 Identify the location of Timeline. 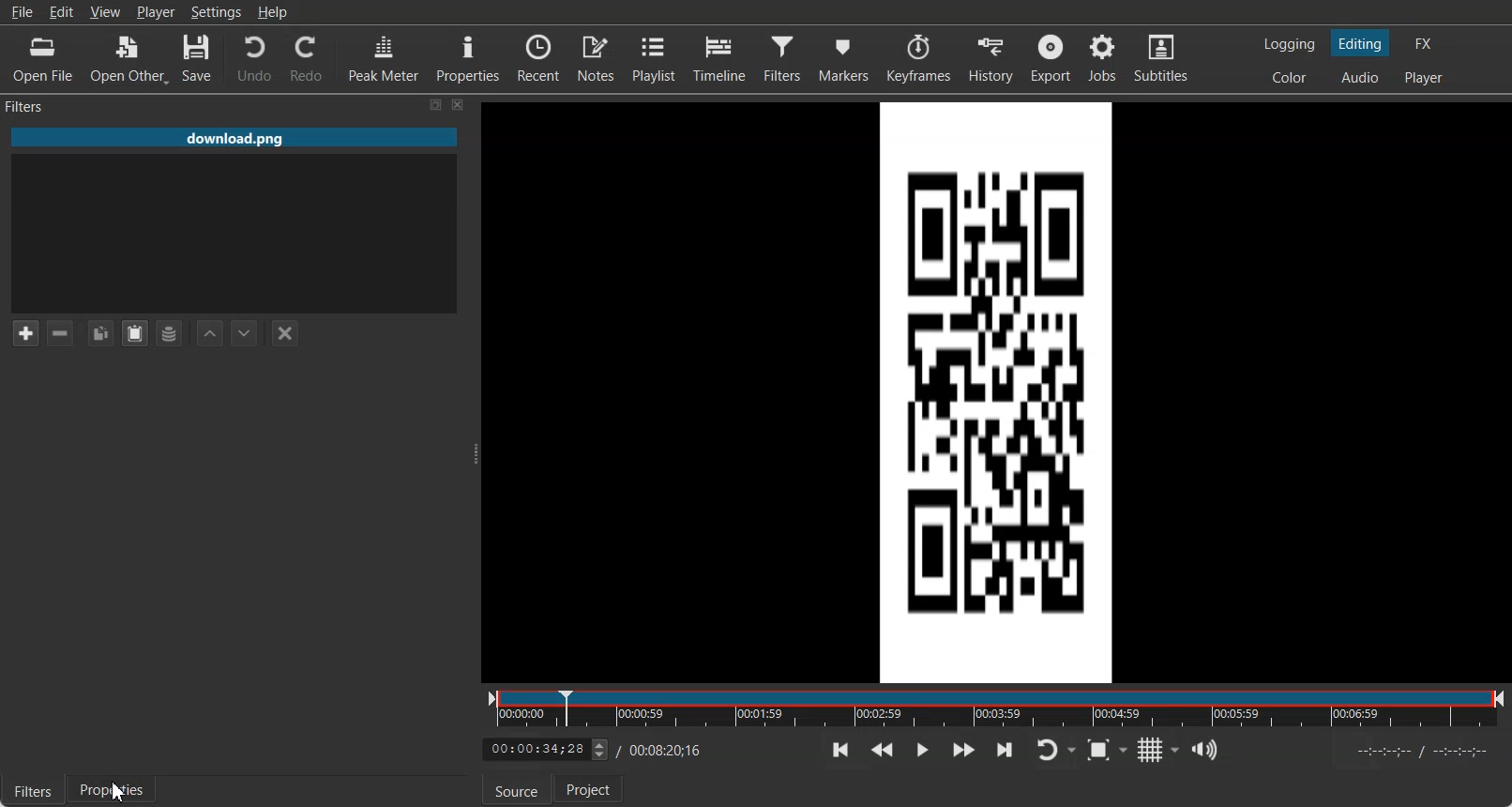
(719, 58).